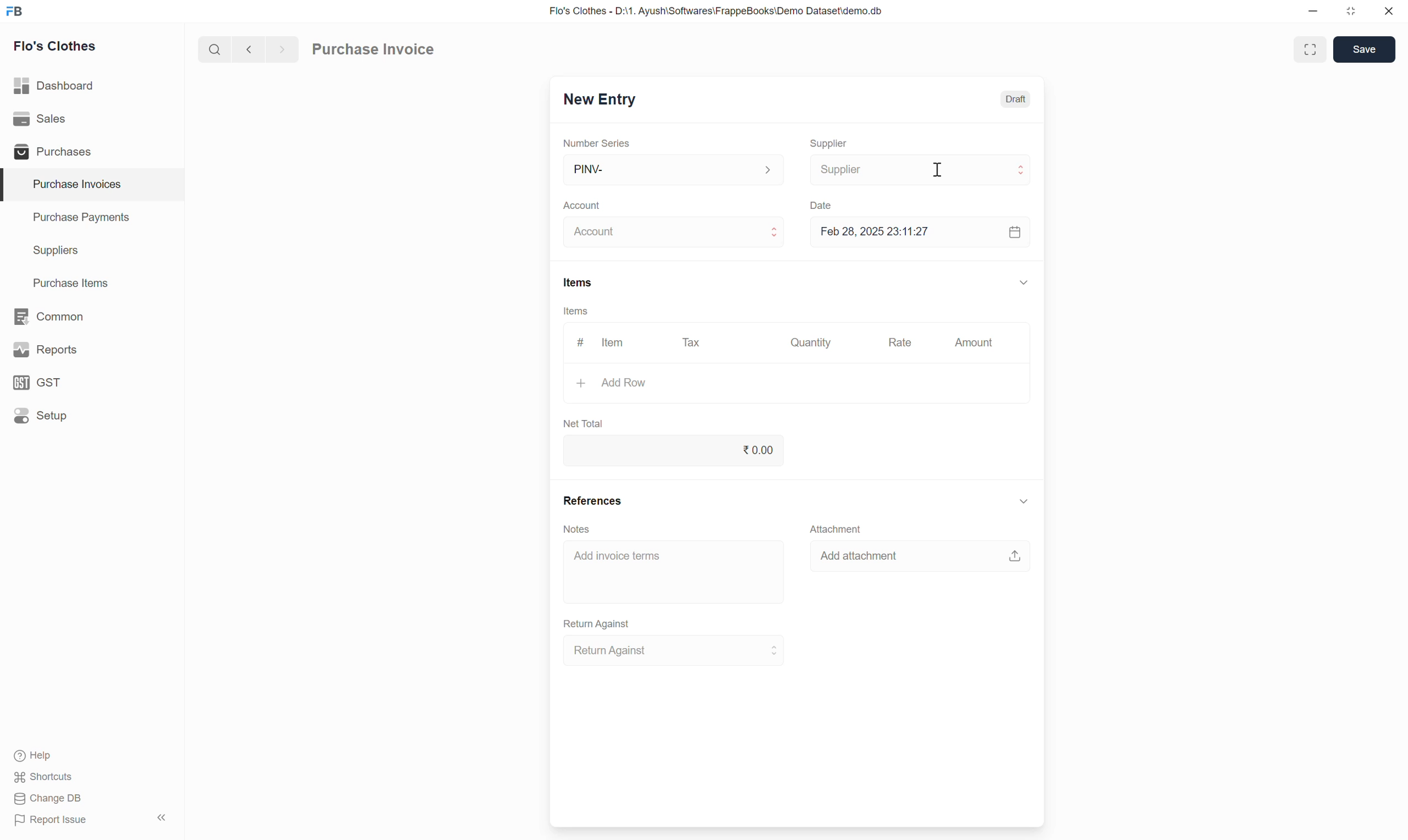 This screenshot has height=840, width=1408. What do you see at coordinates (1013, 232) in the screenshot?
I see `calendar icon` at bounding box center [1013, 232].